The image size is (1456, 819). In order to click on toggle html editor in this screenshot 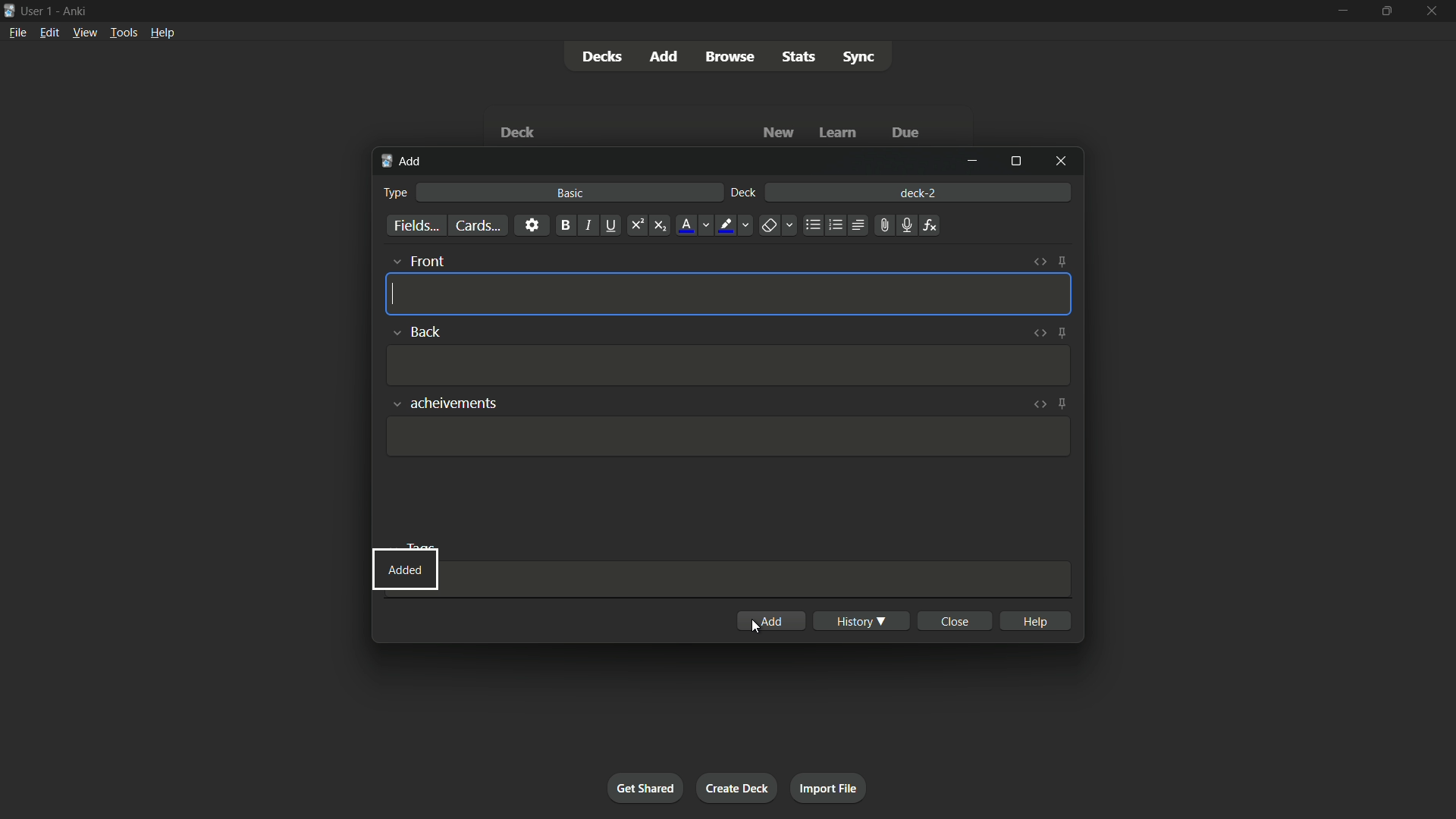, I will do `click(1039, 405)`.